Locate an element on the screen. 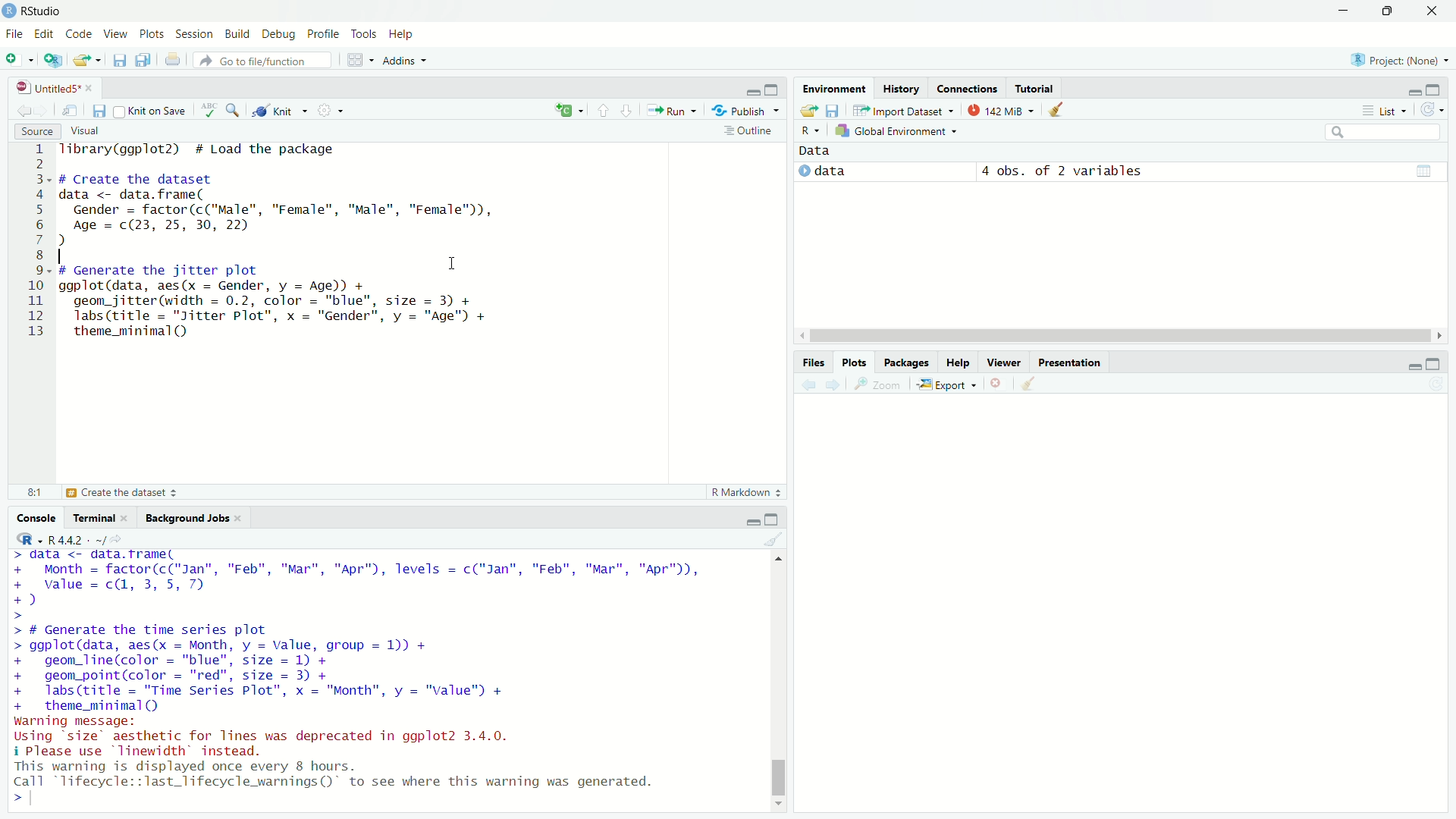 This screenshot has height=819, width=1456. remove the current plot is located at coordinates (999, 384).